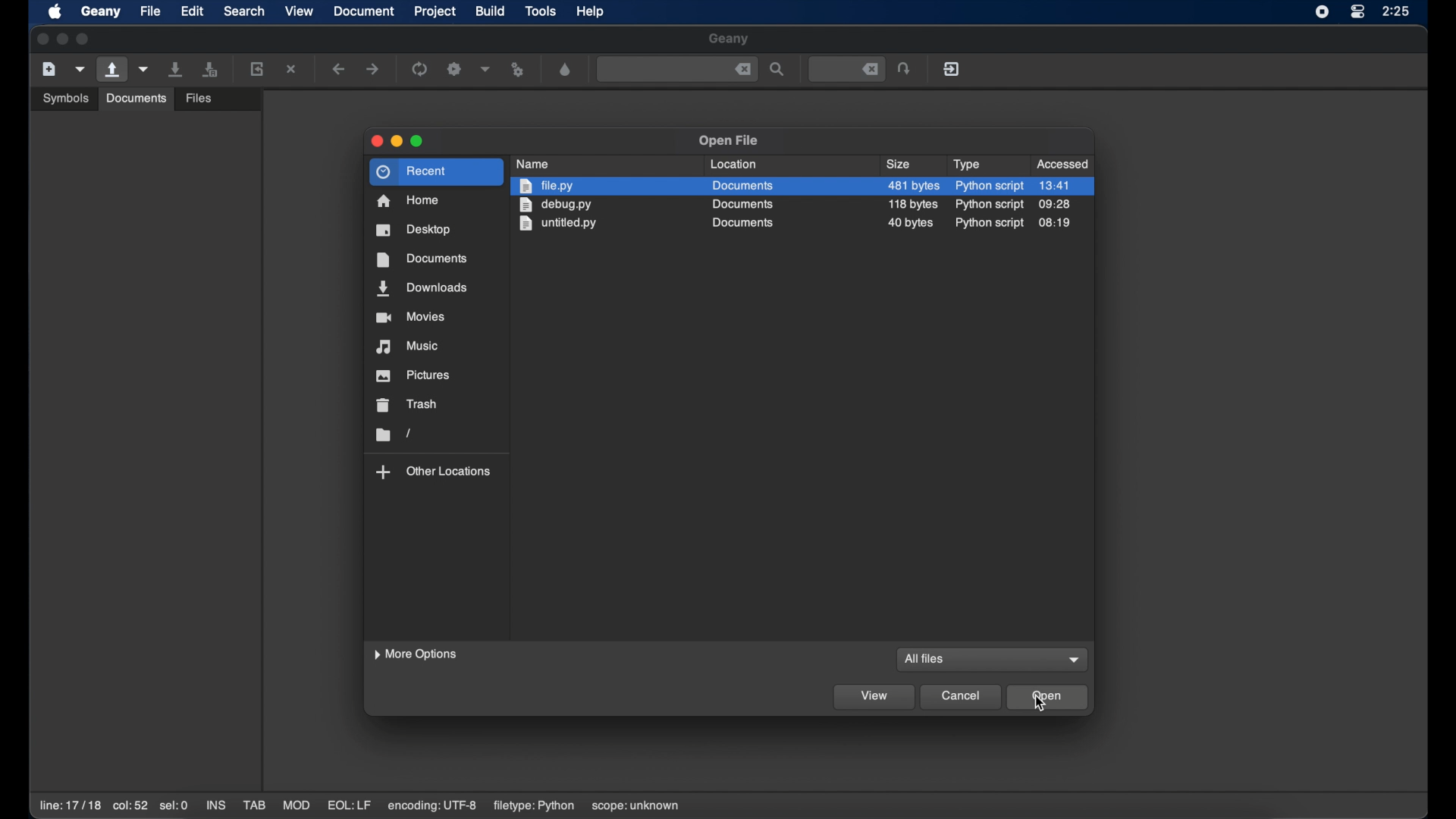  I want to click on screen recorder icon, so click(1323, 11).